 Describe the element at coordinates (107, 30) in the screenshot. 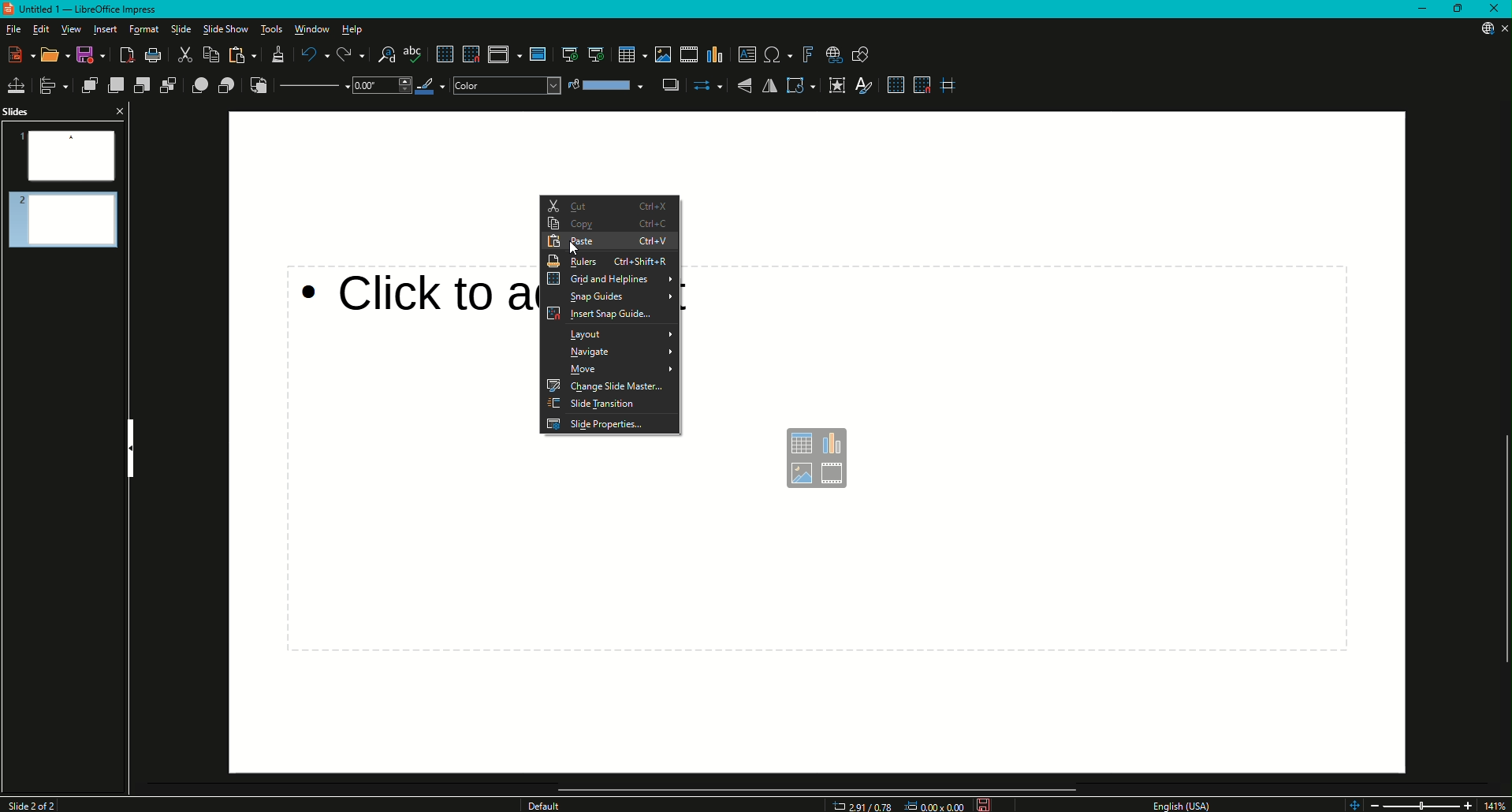

I see `Insert` at that location.